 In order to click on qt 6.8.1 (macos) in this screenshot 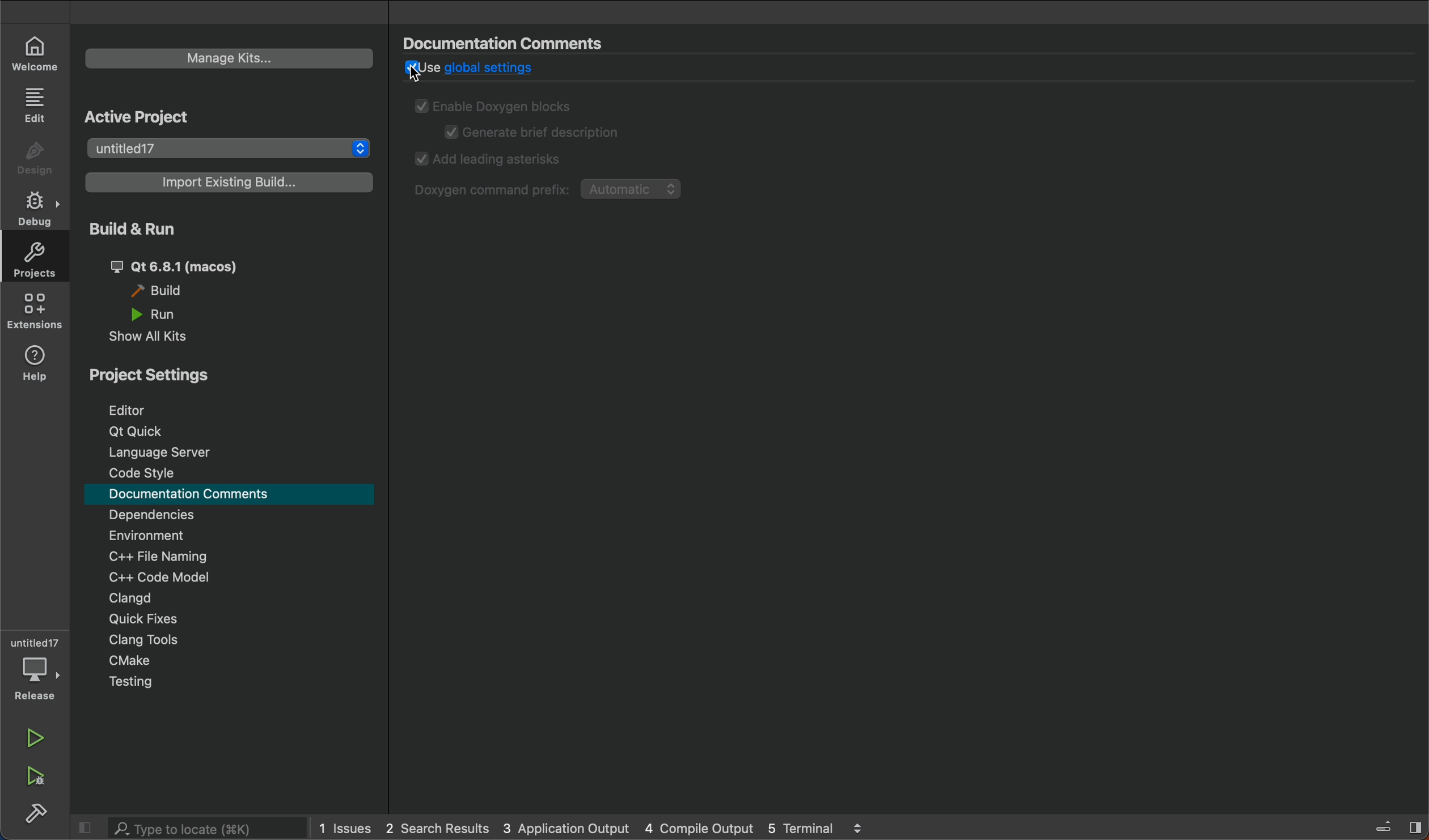, I will do `click(184, 265)`.